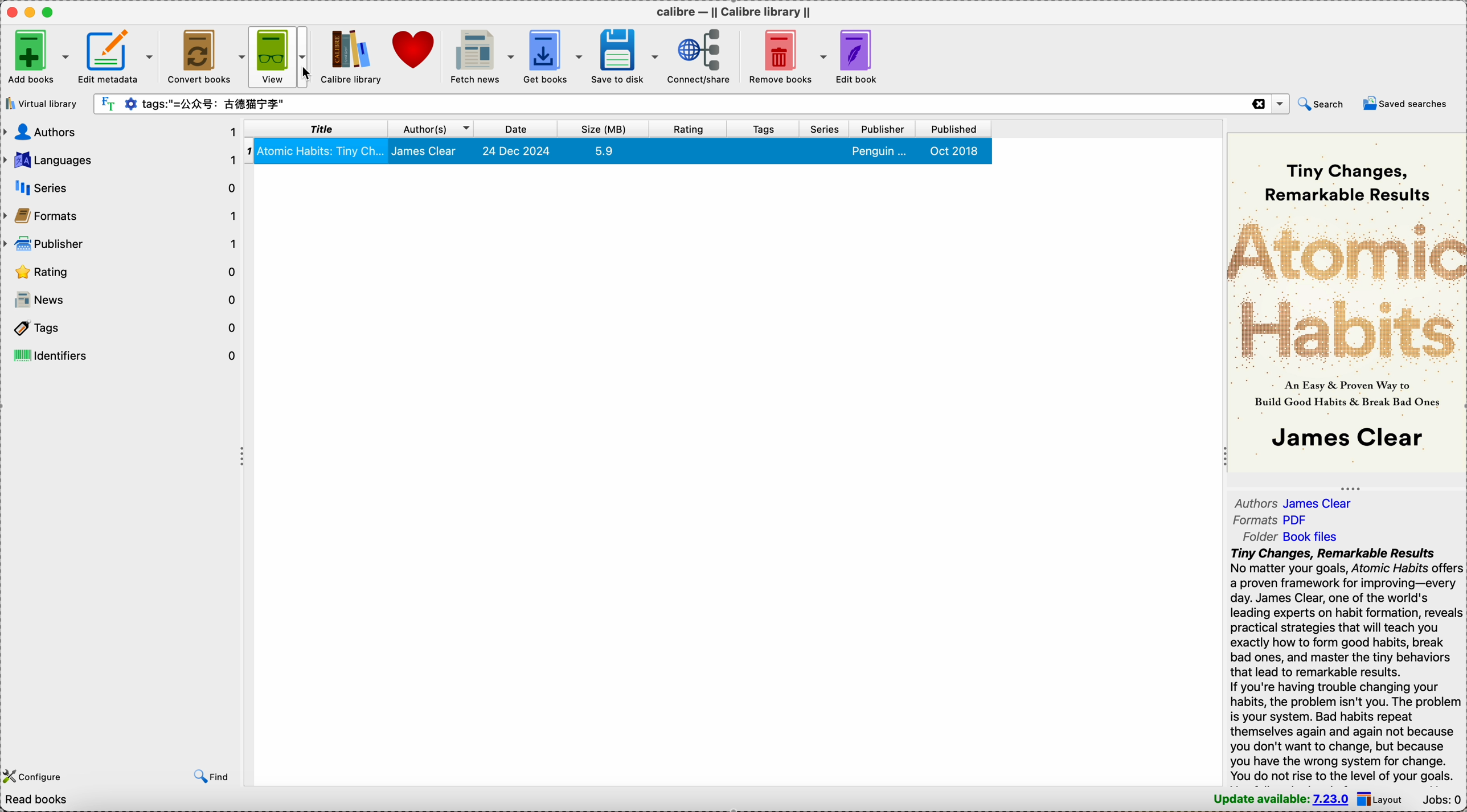  Describe the element at coordinates (699, 57) in the screenshot. I see `connect/share` at that location.